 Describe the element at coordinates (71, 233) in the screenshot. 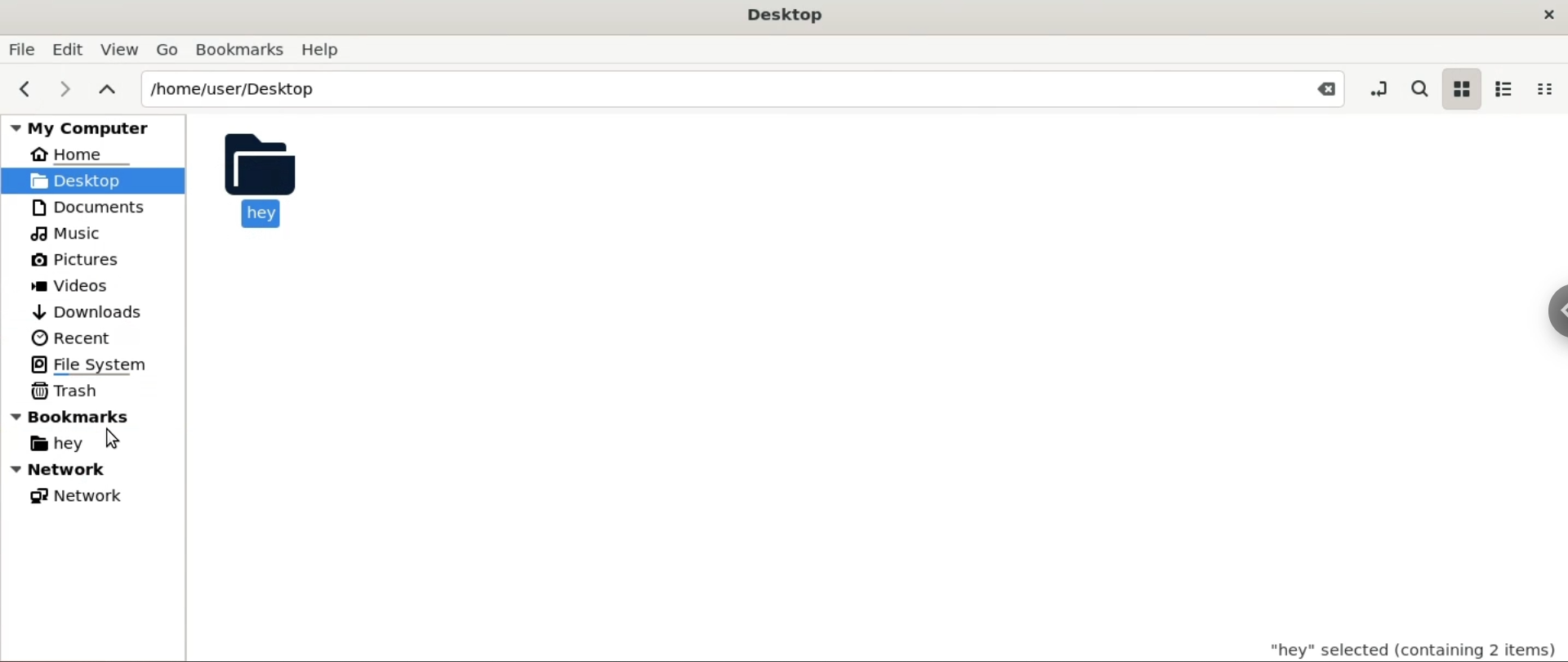

I see `Music` at that location.